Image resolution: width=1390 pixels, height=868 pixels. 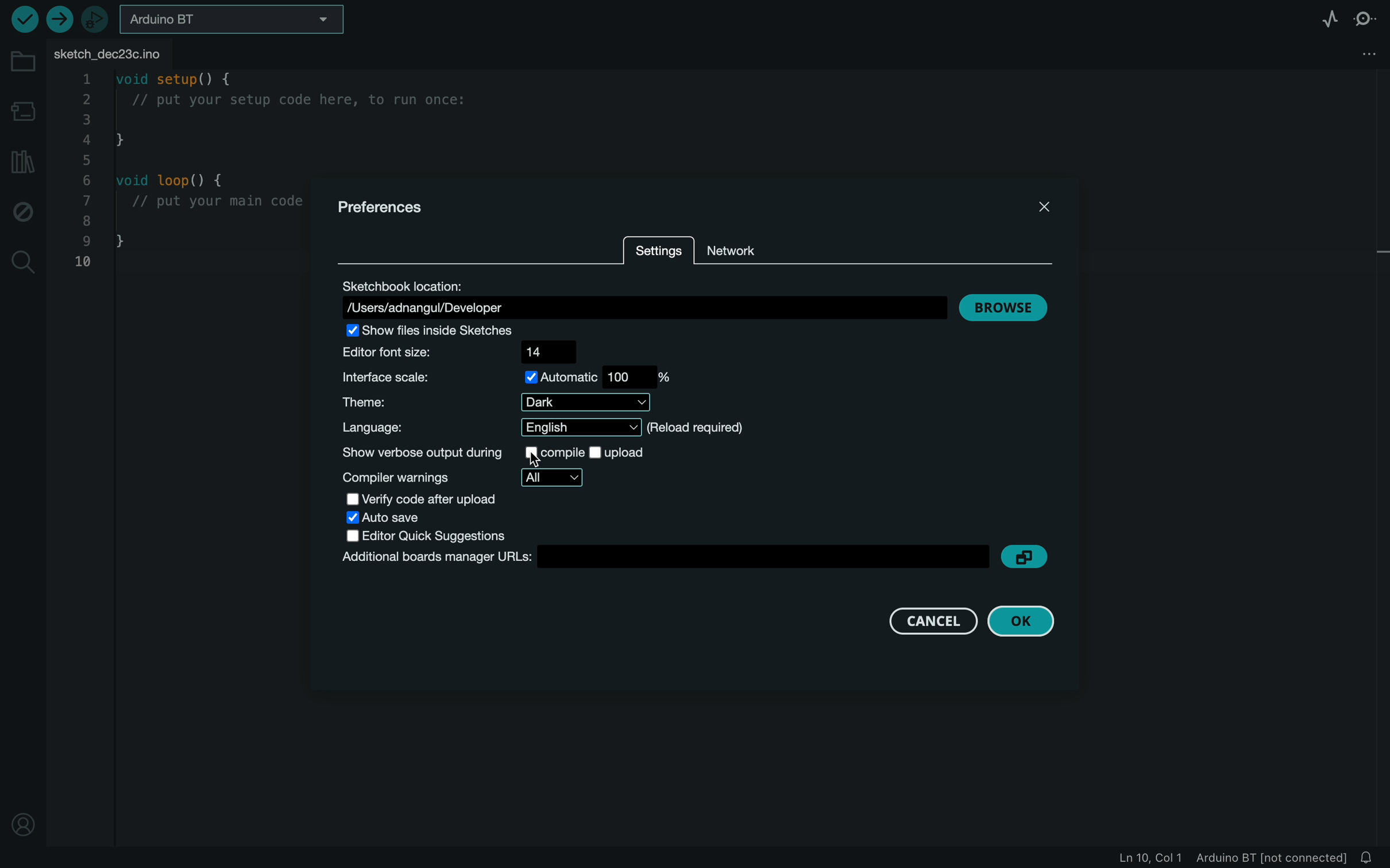 I want to click on warnings, so click(x=460, y=477).